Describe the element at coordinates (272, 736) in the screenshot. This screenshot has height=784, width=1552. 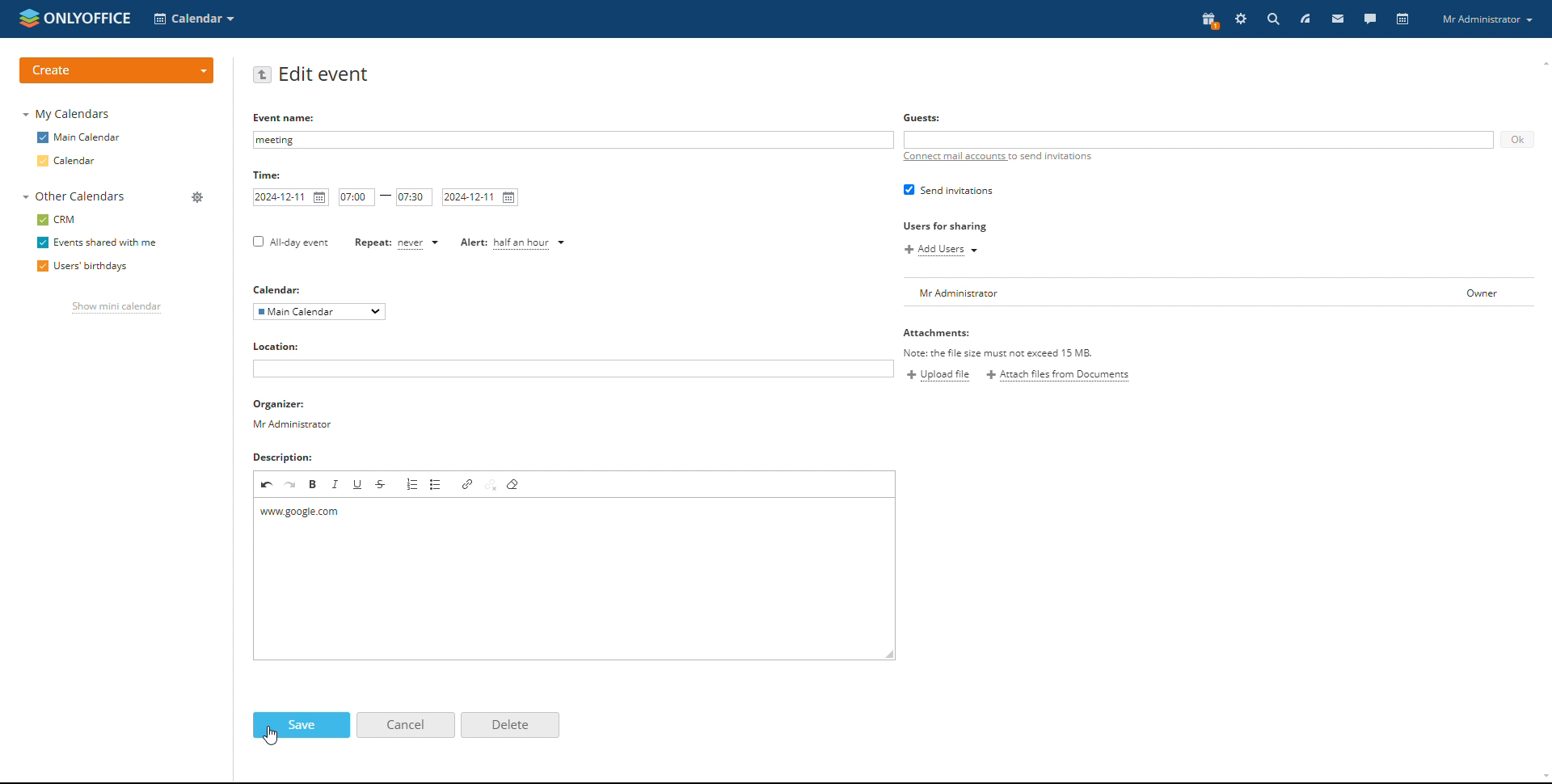
I see `cursor` at that location.